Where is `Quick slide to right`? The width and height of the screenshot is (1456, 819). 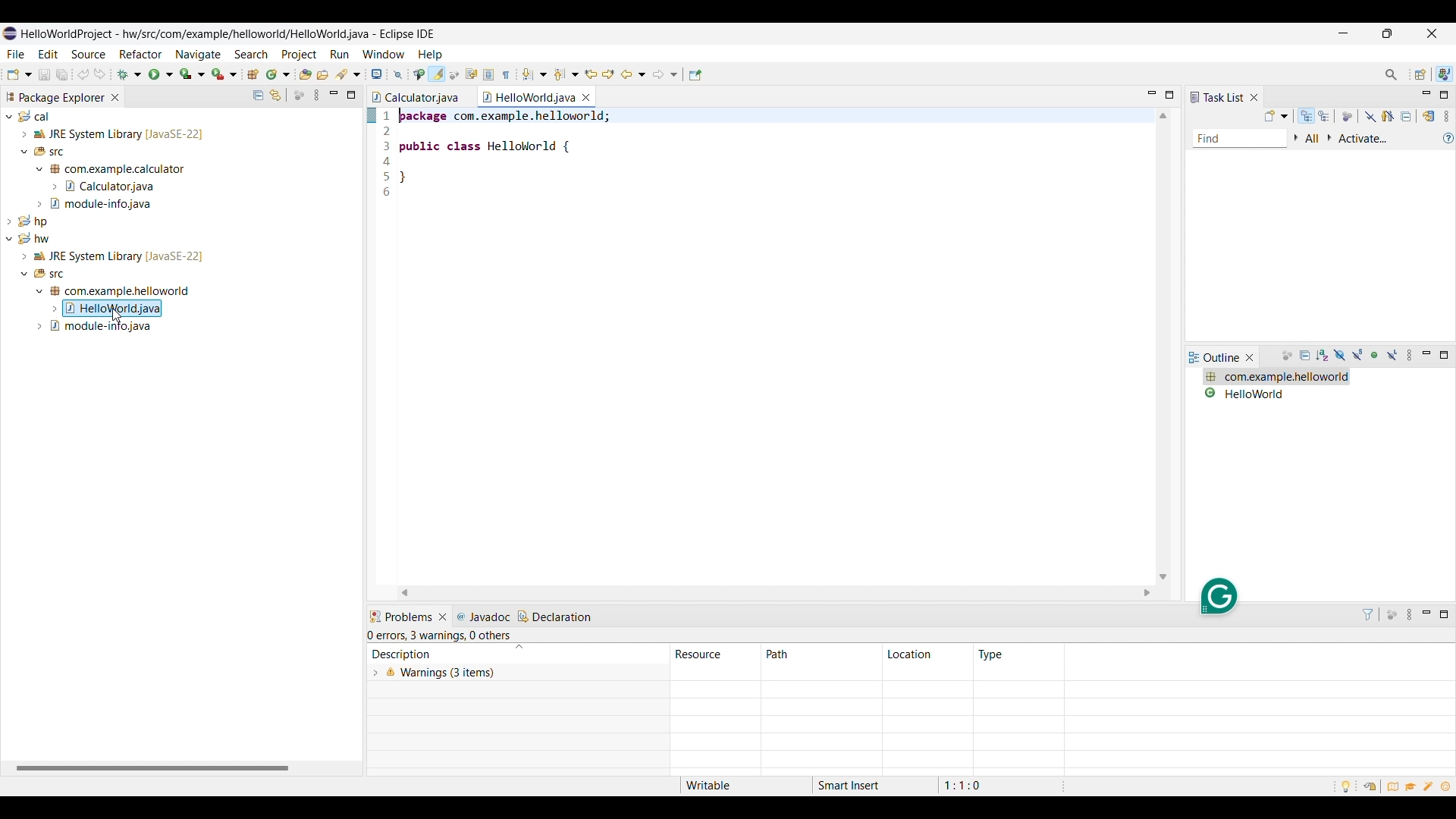 Quick slide to right is located at coordinates (1147, 593).